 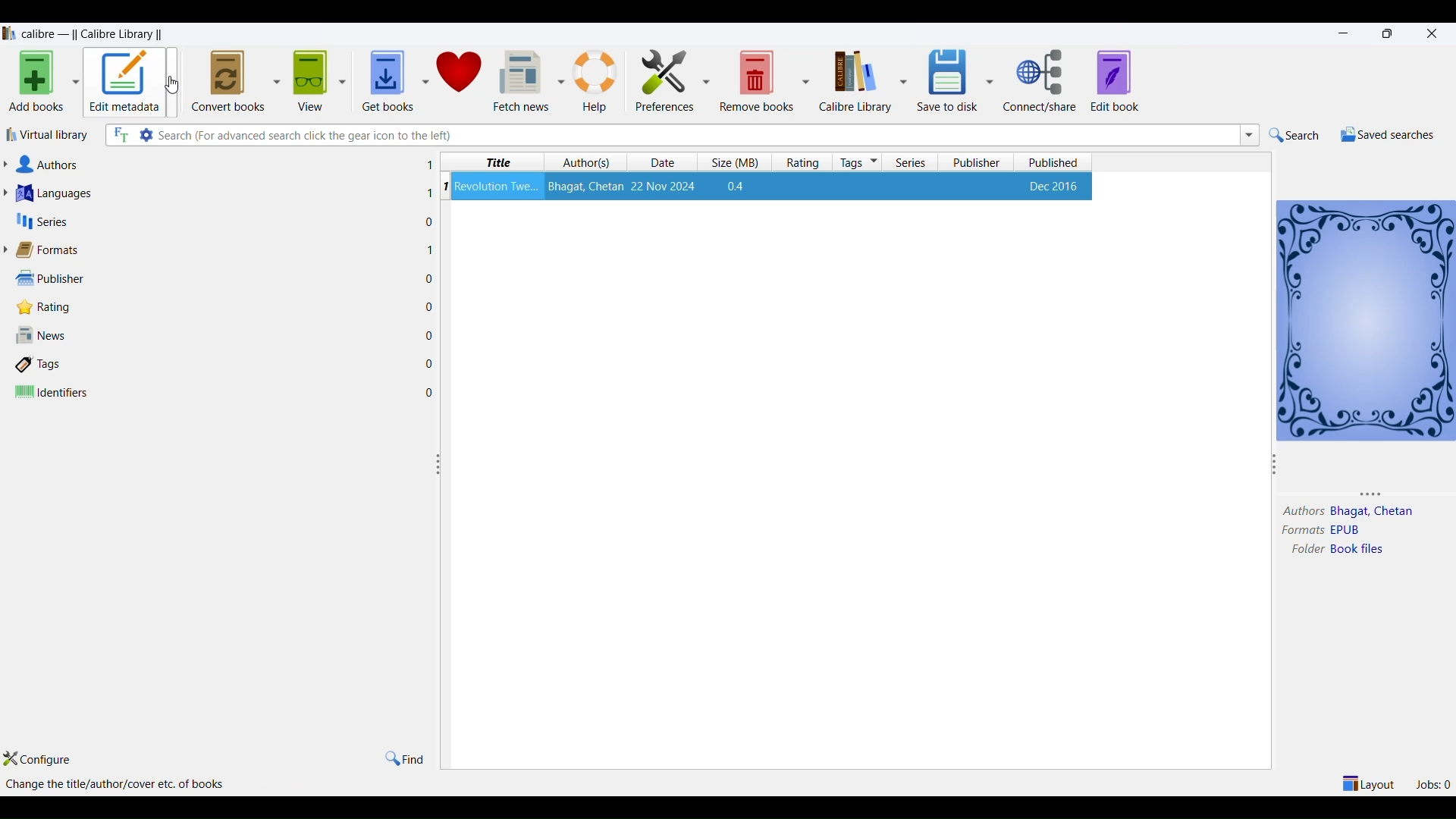 I want to click on languages list dropdown button, so click(x=10, y=193).